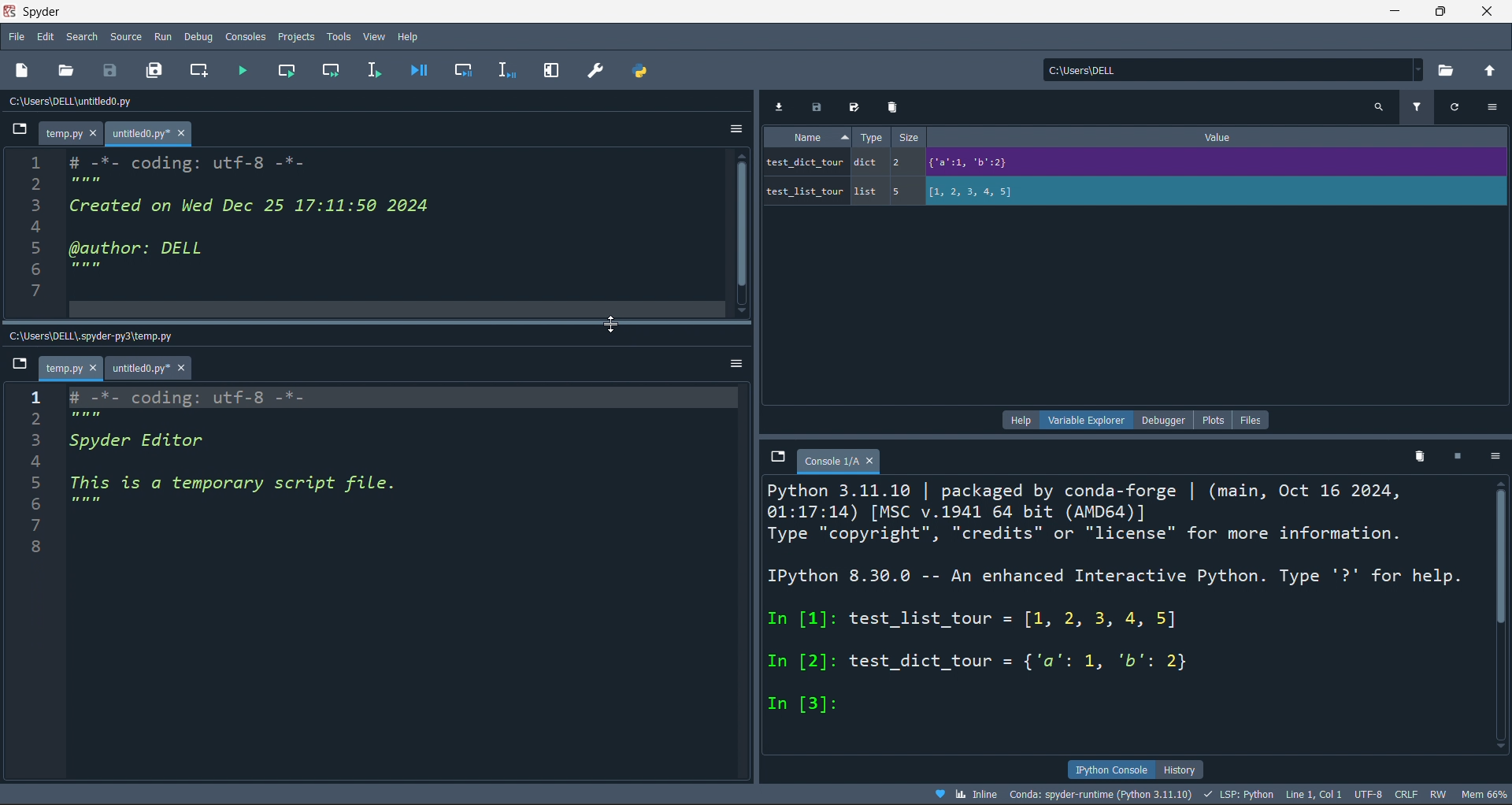 The image size is (1512, 805). What do you see at coordinates (240, 206) in the screenshot?
I see `3 Created on Wed Dec 25 17:11:50 2024` at bounding box center [240, 206].